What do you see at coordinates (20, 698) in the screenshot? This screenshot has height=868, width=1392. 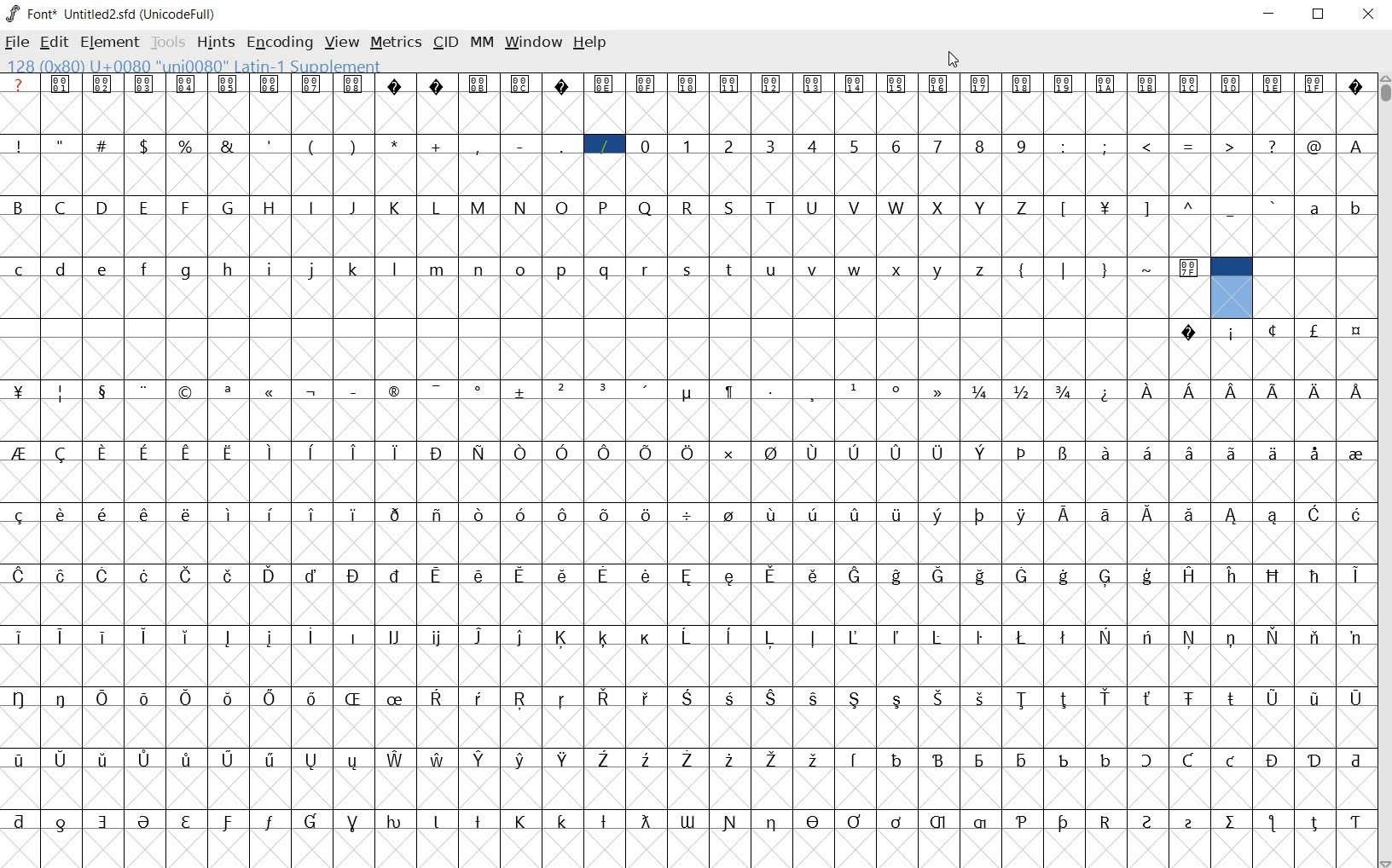 I see `Symbol` at bounding box center [20, 698].